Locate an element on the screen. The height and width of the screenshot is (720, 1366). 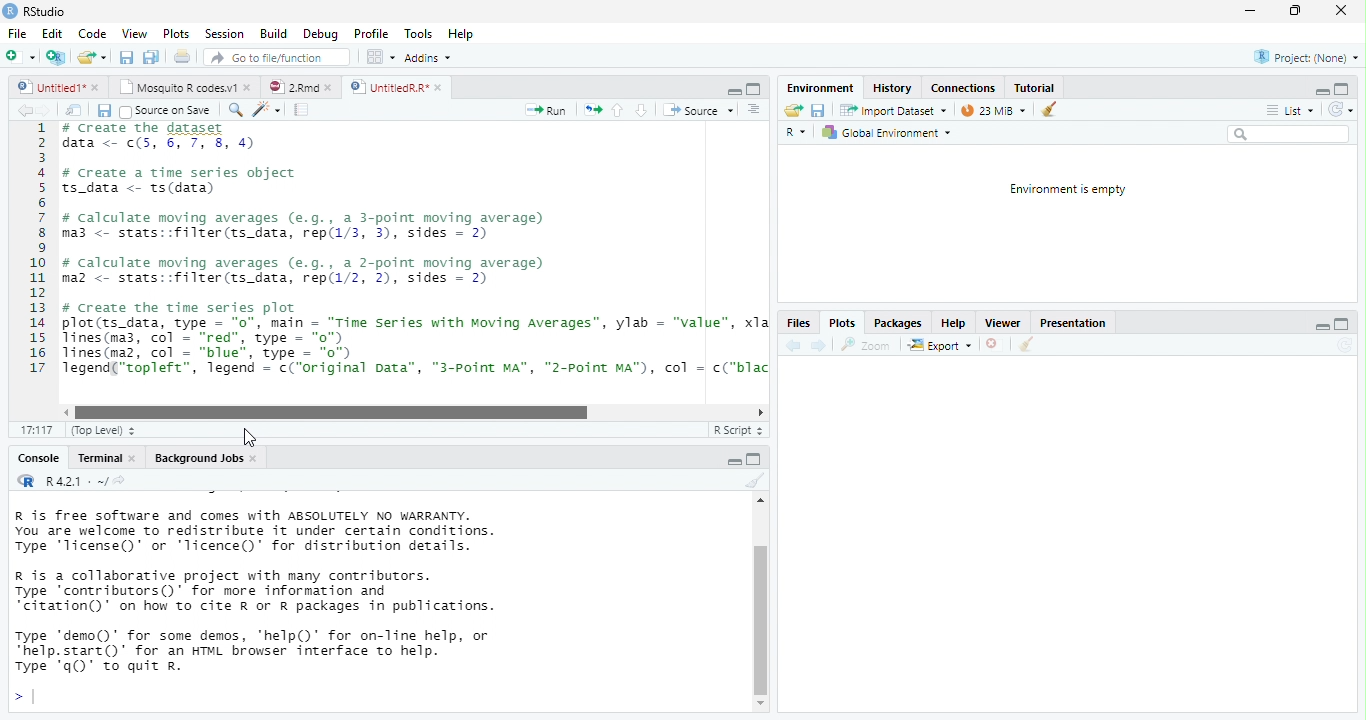
Environment is empty. is located at coordinates (1067, 190).